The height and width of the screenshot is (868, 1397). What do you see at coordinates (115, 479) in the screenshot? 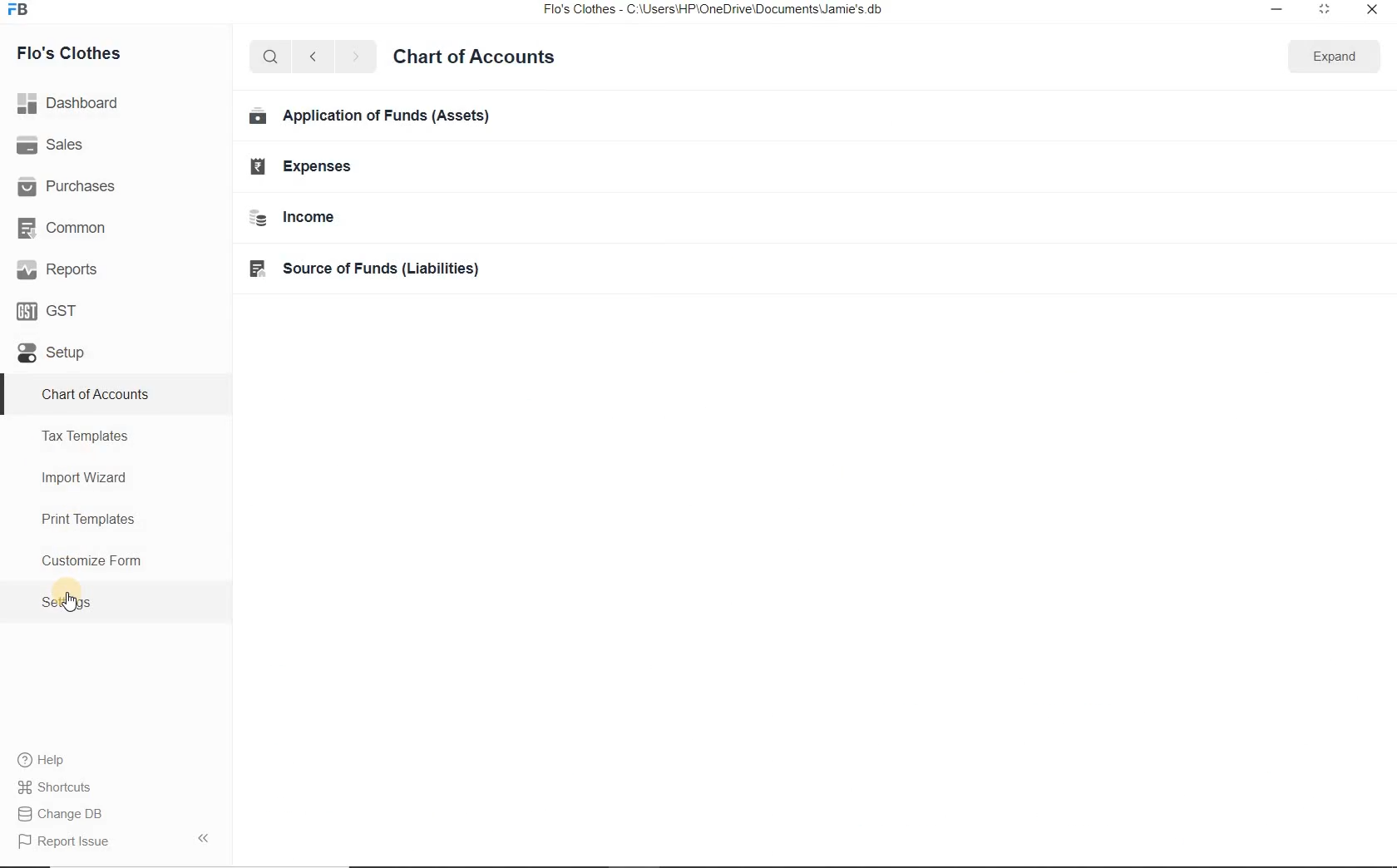
I see `Import Wizard` at bounding box center [115, 479].